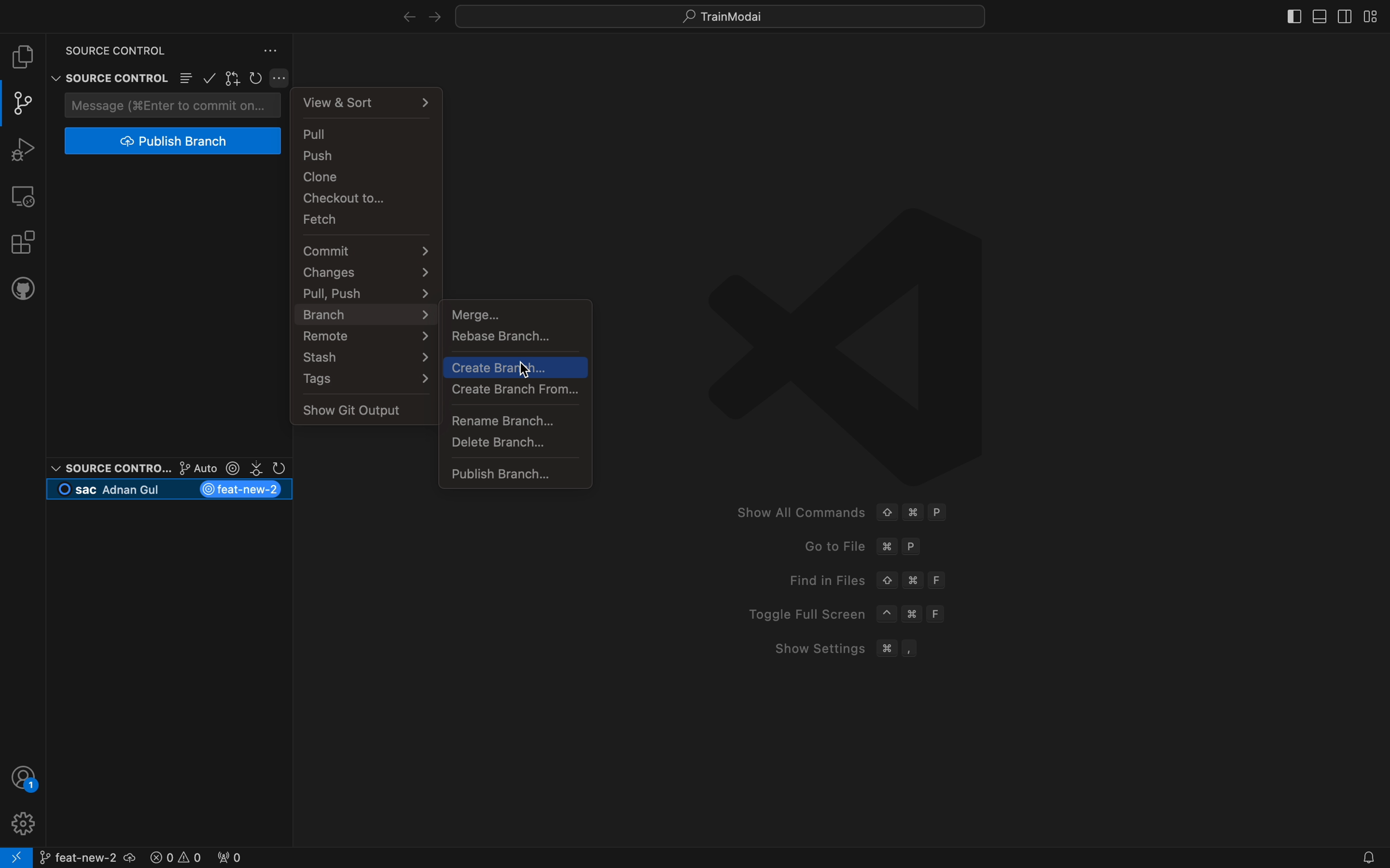 The image size is (1390, 868). I want to click on quick menus, so click(723, 15).